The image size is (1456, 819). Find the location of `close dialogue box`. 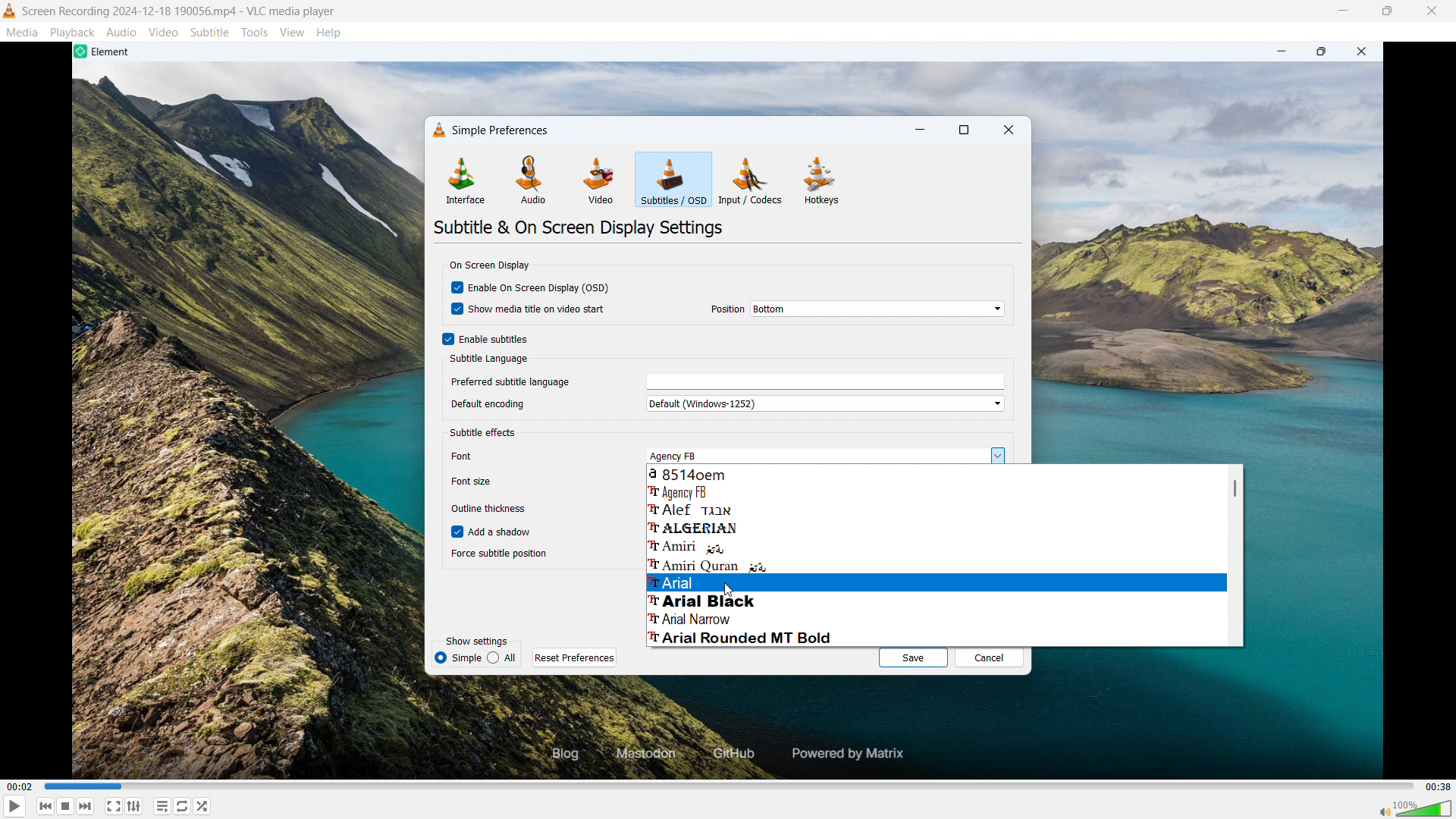

close dialogue box is located at coordinates (1008, 131).